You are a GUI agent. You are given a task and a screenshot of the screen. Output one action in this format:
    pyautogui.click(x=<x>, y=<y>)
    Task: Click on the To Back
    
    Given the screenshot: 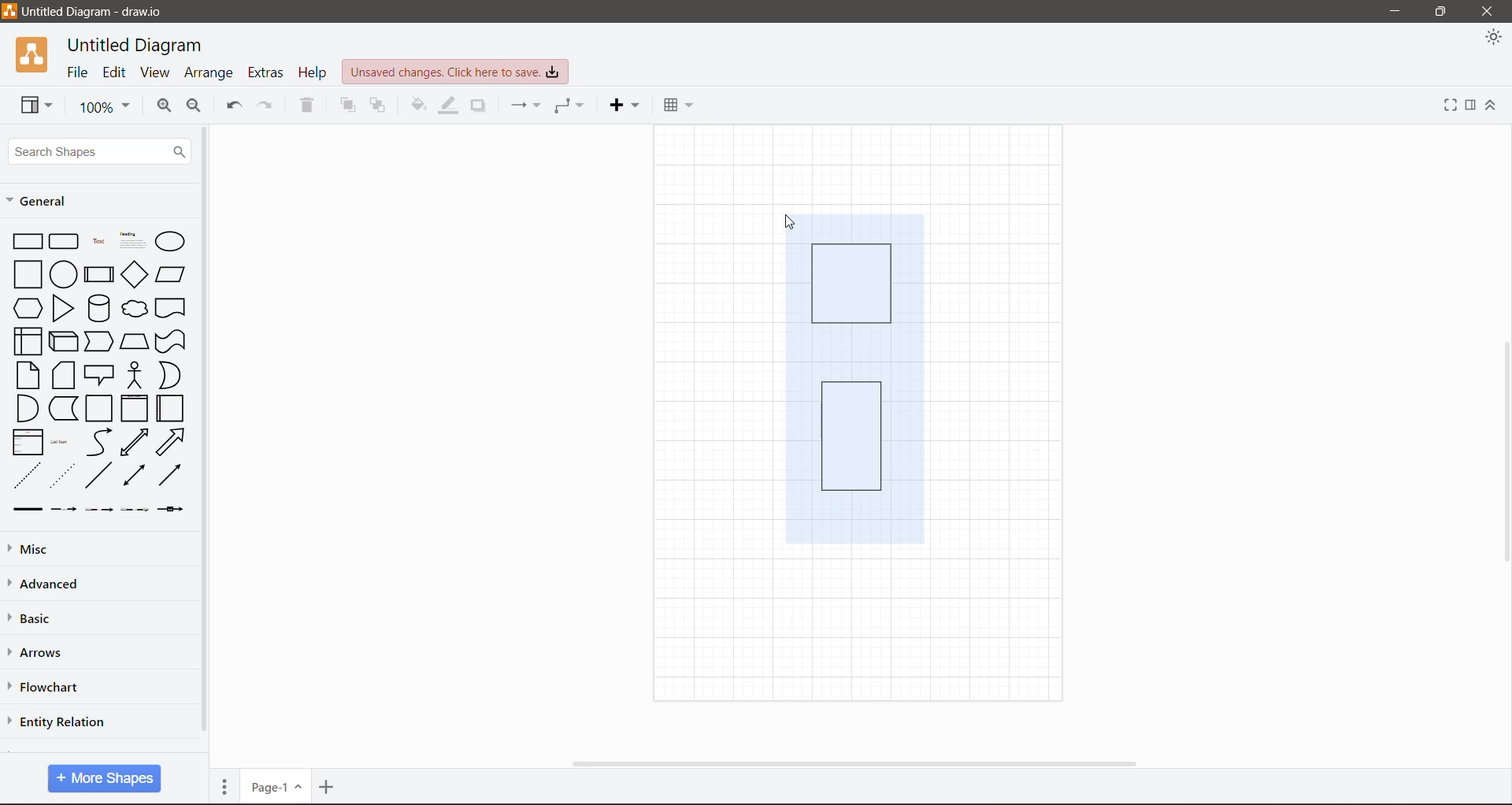 What is the action you would take?
    pyautogui.click(x=376, y=106)
    